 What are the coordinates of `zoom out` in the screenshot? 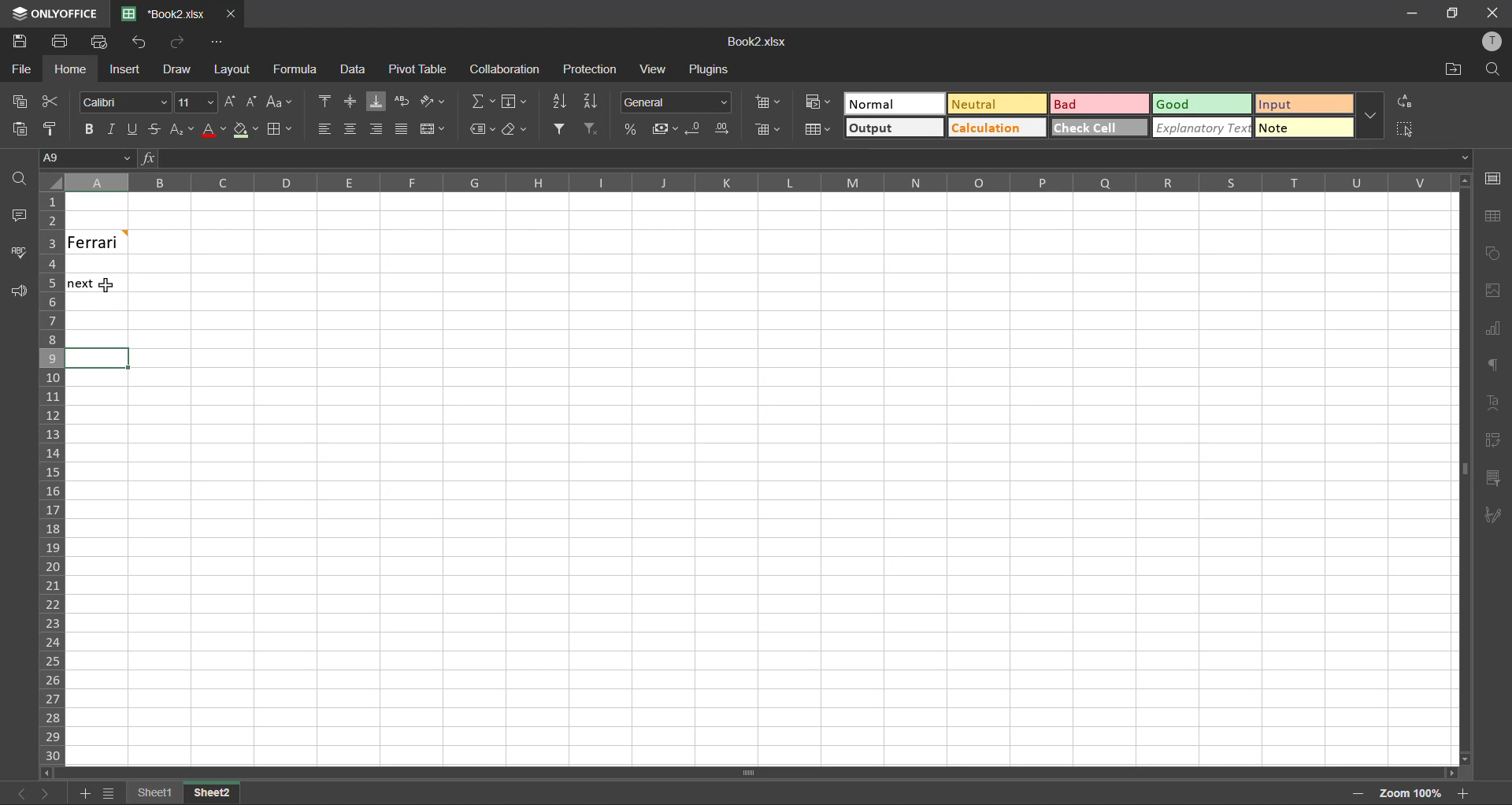 It's located at (1361, 796).